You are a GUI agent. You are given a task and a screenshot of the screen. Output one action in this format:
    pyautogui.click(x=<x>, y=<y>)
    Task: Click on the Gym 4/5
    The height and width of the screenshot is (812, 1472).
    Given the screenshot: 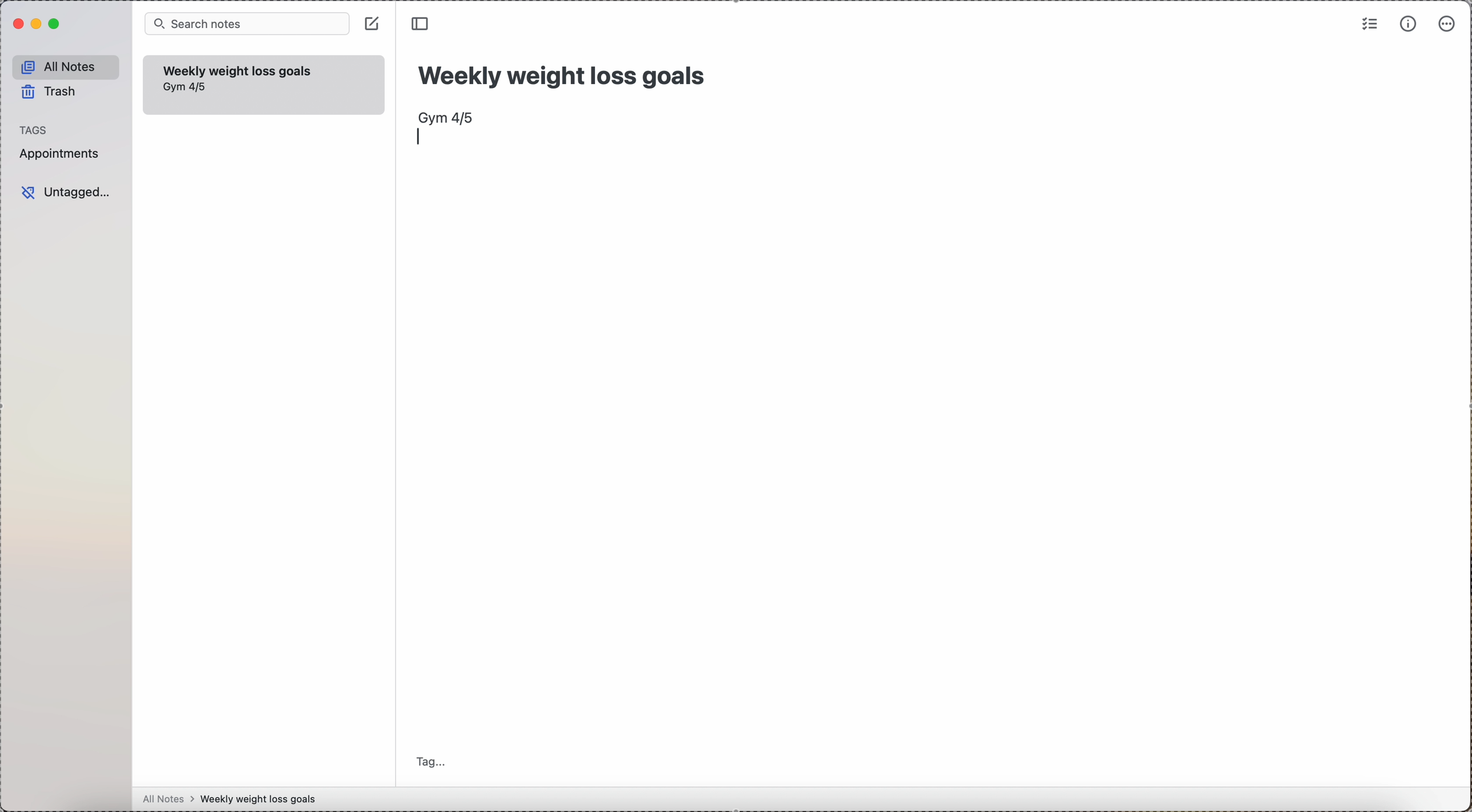 What is the action you would take?
    pyautogui.click(x=447, y=117)
    